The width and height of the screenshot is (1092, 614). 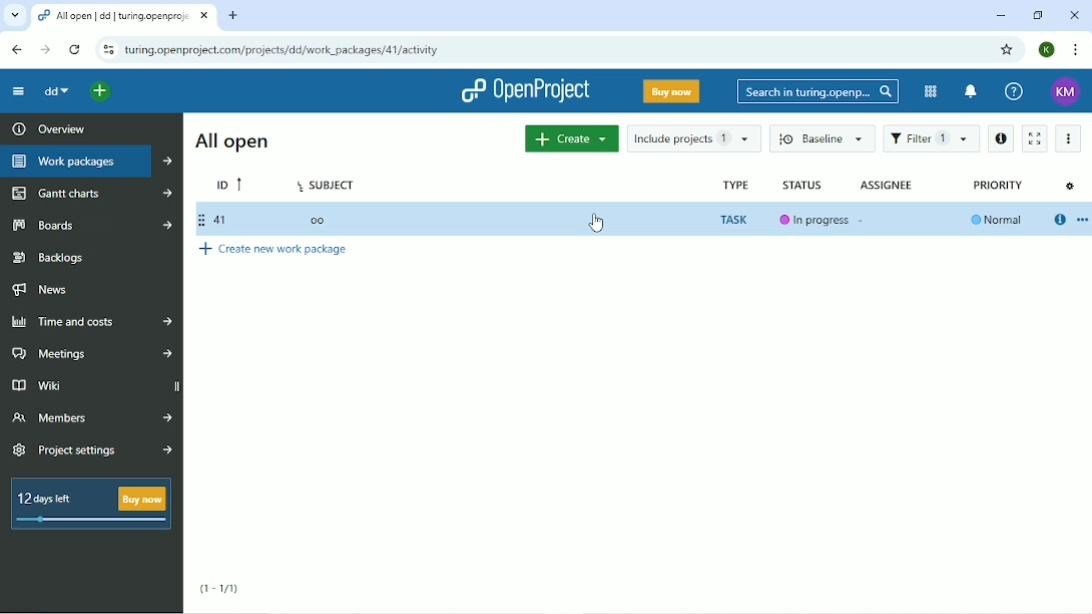 What do you see at coordinates (597, 221) in the screenshot?
I see `Cursor` at bounding box center [597, 221].